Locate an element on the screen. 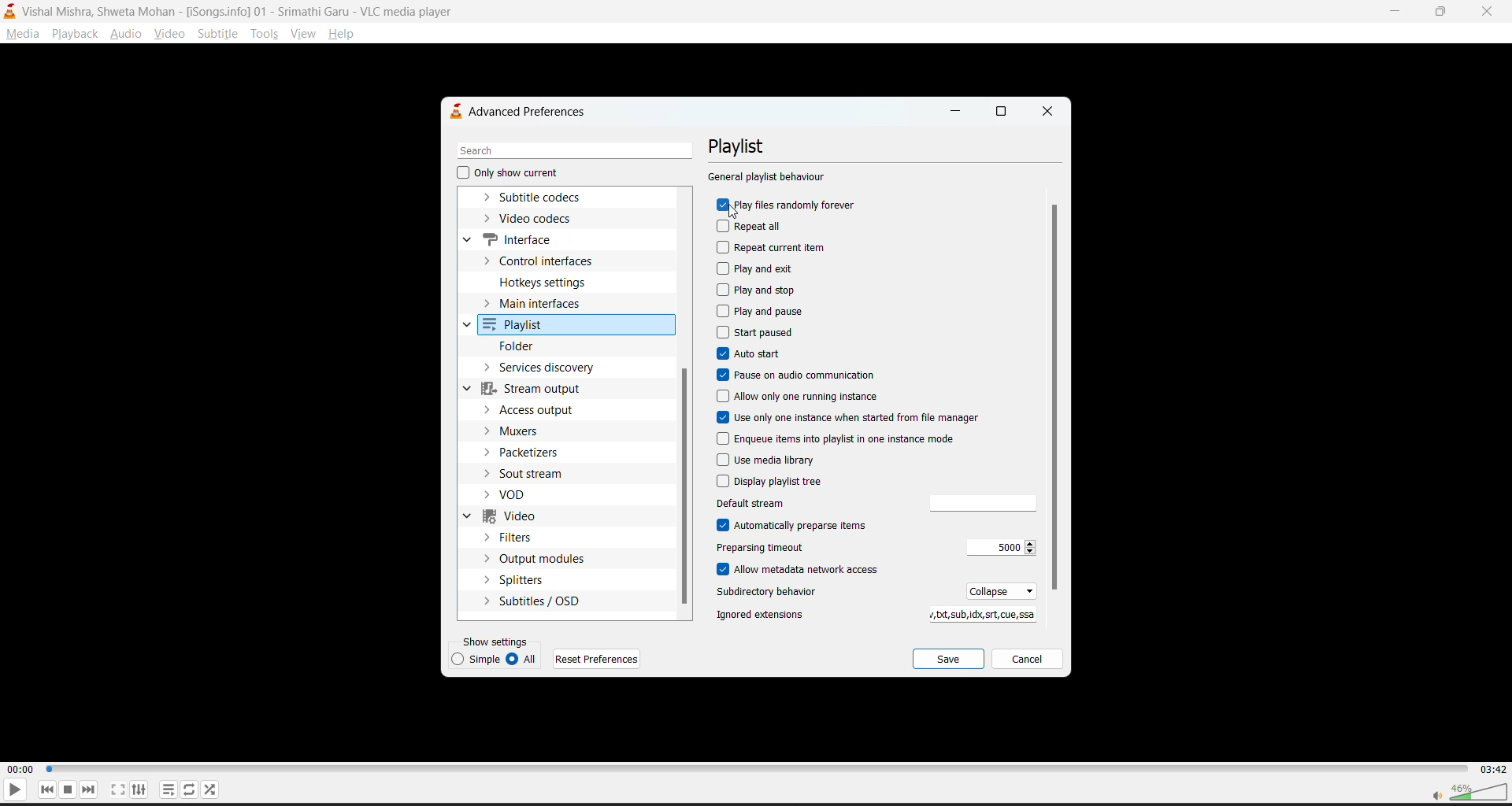 The width and height of the screenshot is (1512, 806). save is located at coordinates (952, 658).